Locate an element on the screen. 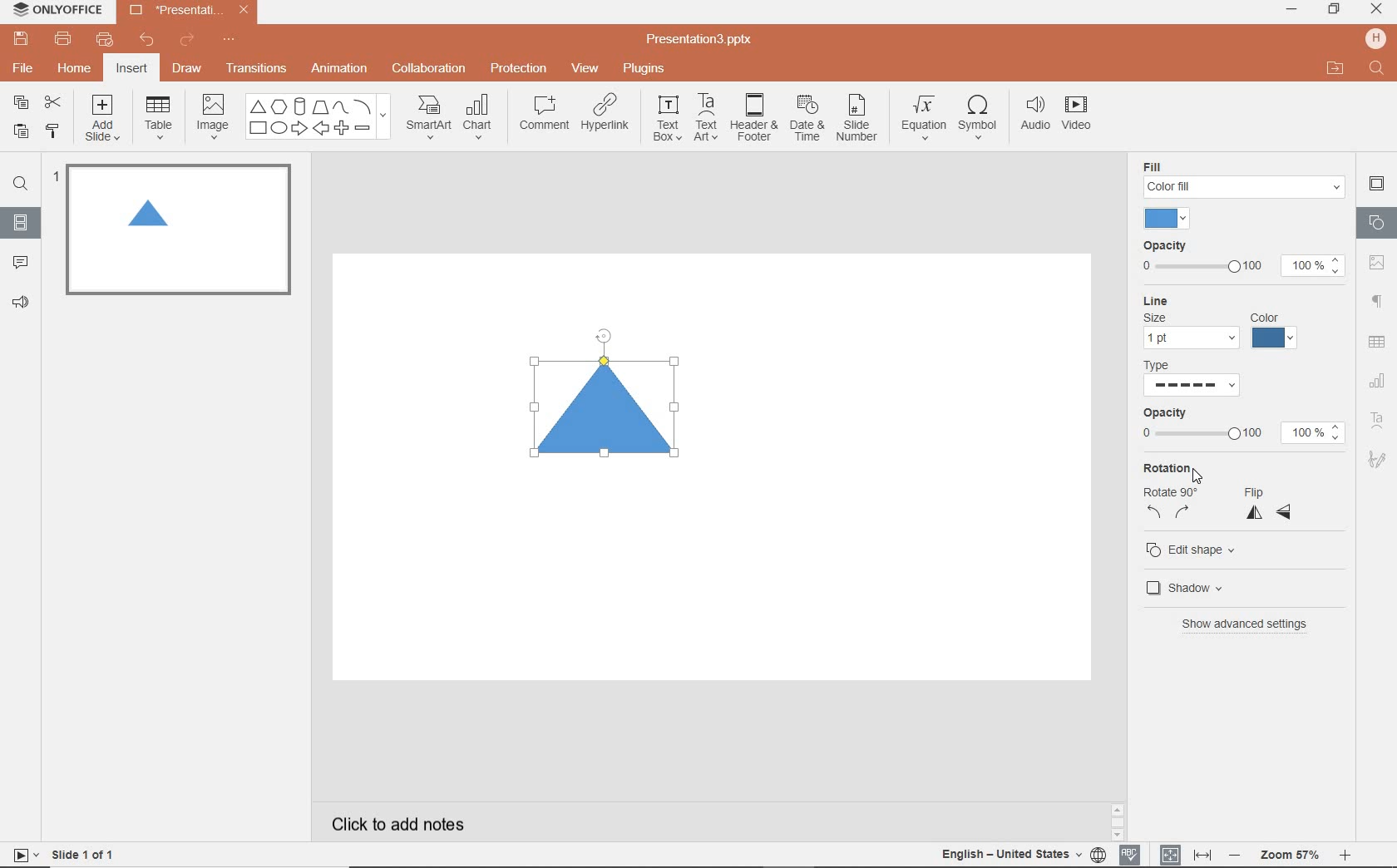 This screenshot has height=868, width=1397. TEXT LANGUAGE is located at coordinates (1024, 854).